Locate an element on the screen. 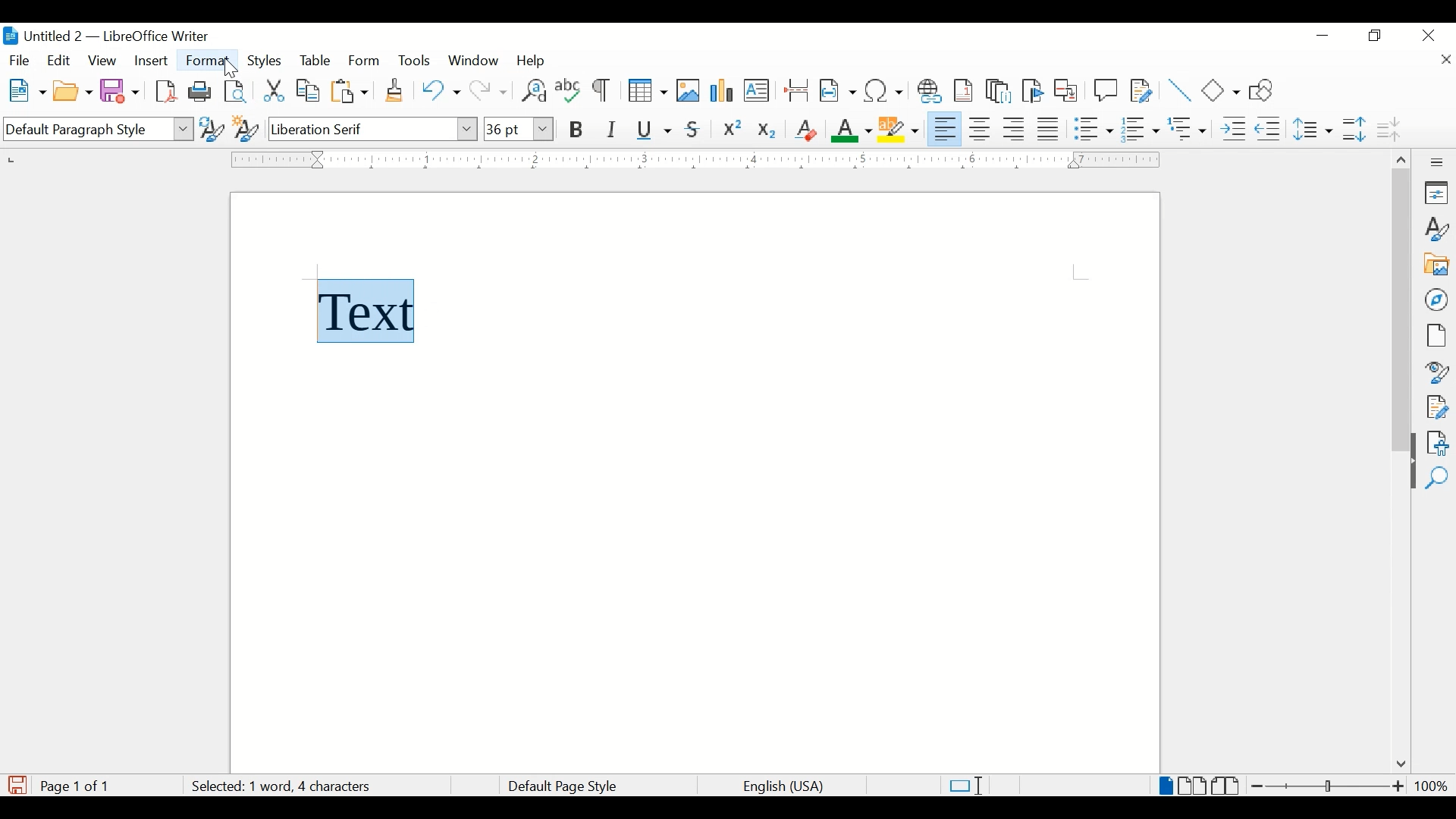 The width and height of the screenshot is (1456, 819). show track changes functions is located at coordinates (1141, 89).